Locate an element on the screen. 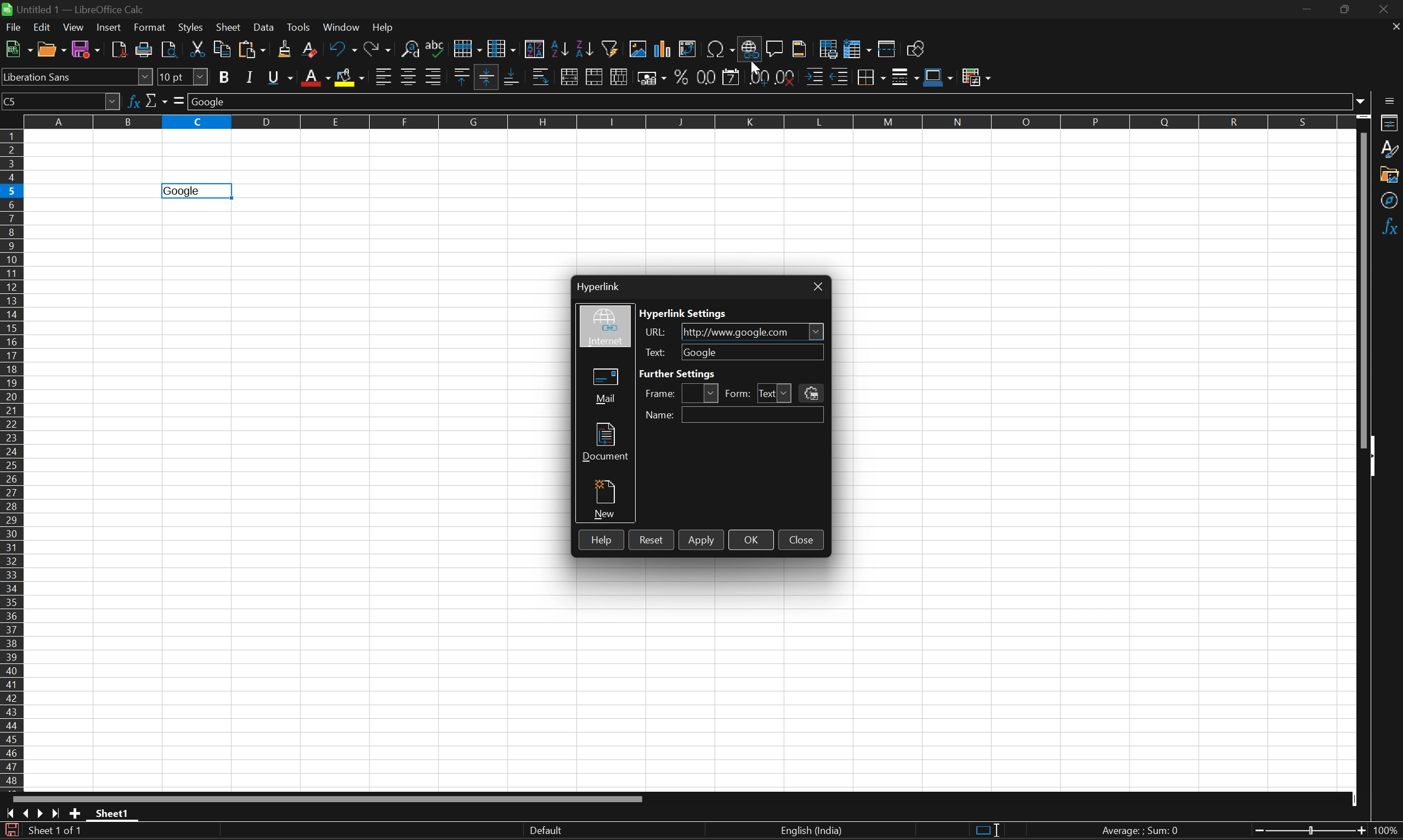 This screenshot has height=840, width=1403. Select formula is located at coordinates (179, 99).